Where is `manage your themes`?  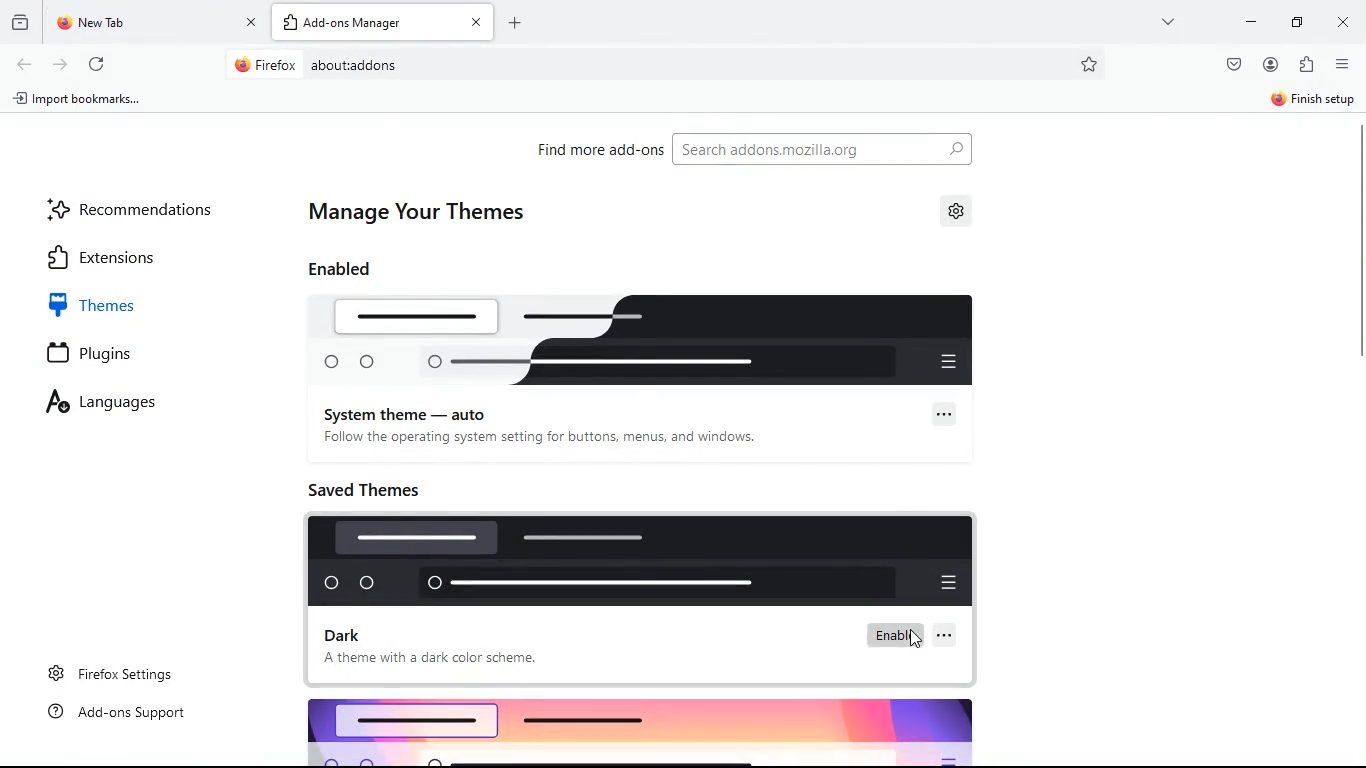
manage your themes is located at coordinates (430, 210).